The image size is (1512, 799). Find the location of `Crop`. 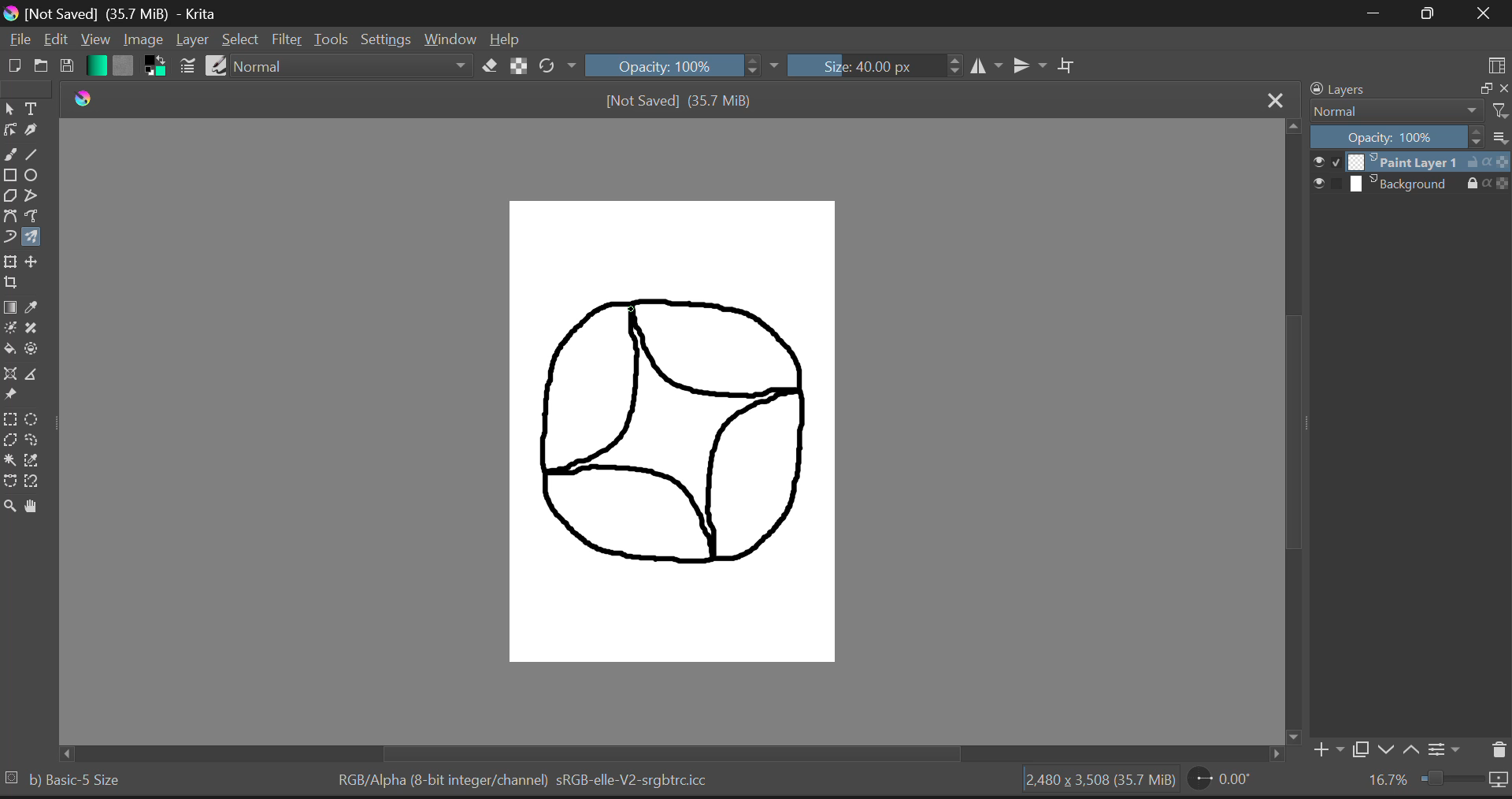

Crop is located at coordinates (1069, 65).